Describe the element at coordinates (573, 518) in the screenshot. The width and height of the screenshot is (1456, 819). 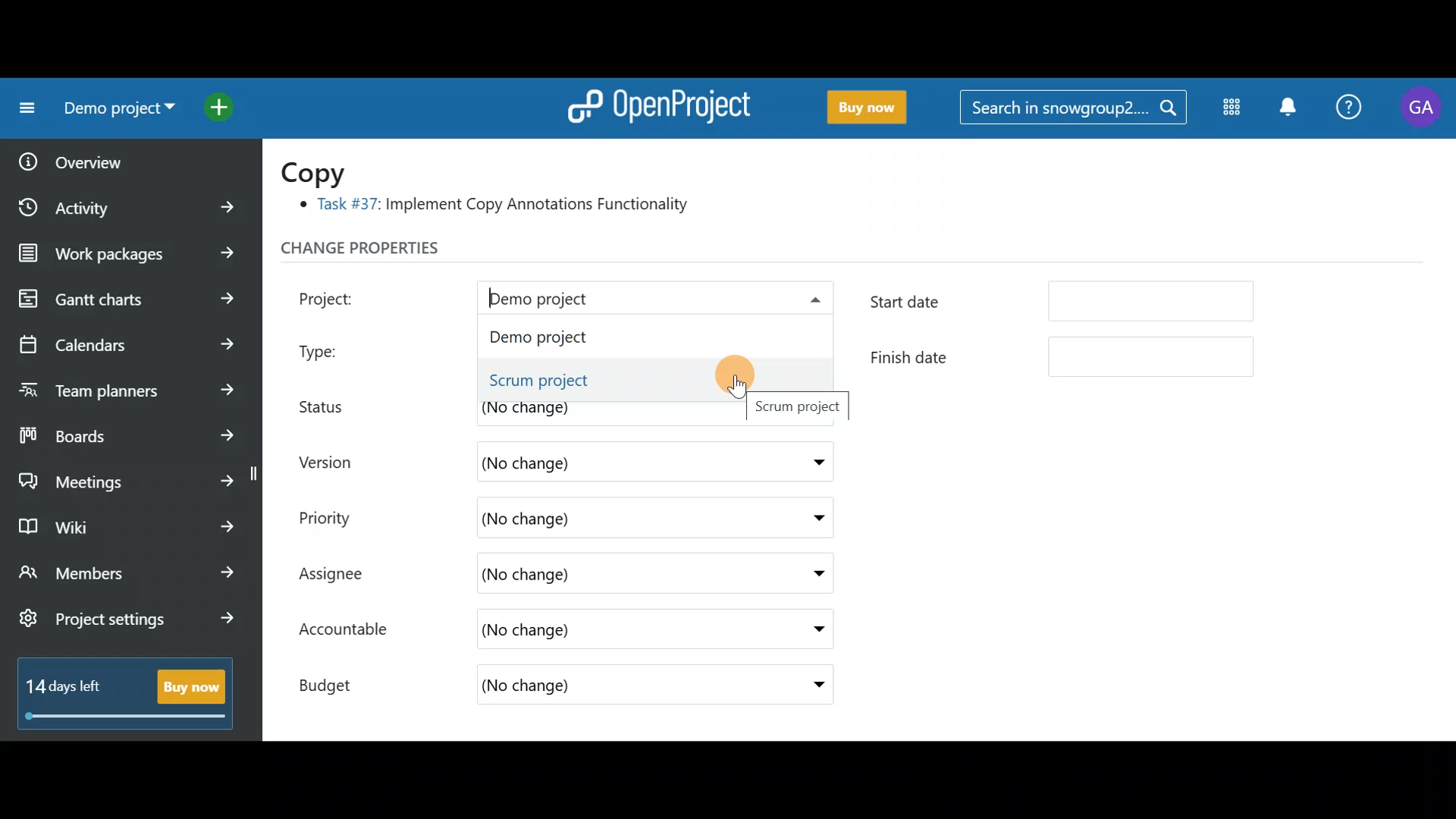
I see `(No change)` at that location.